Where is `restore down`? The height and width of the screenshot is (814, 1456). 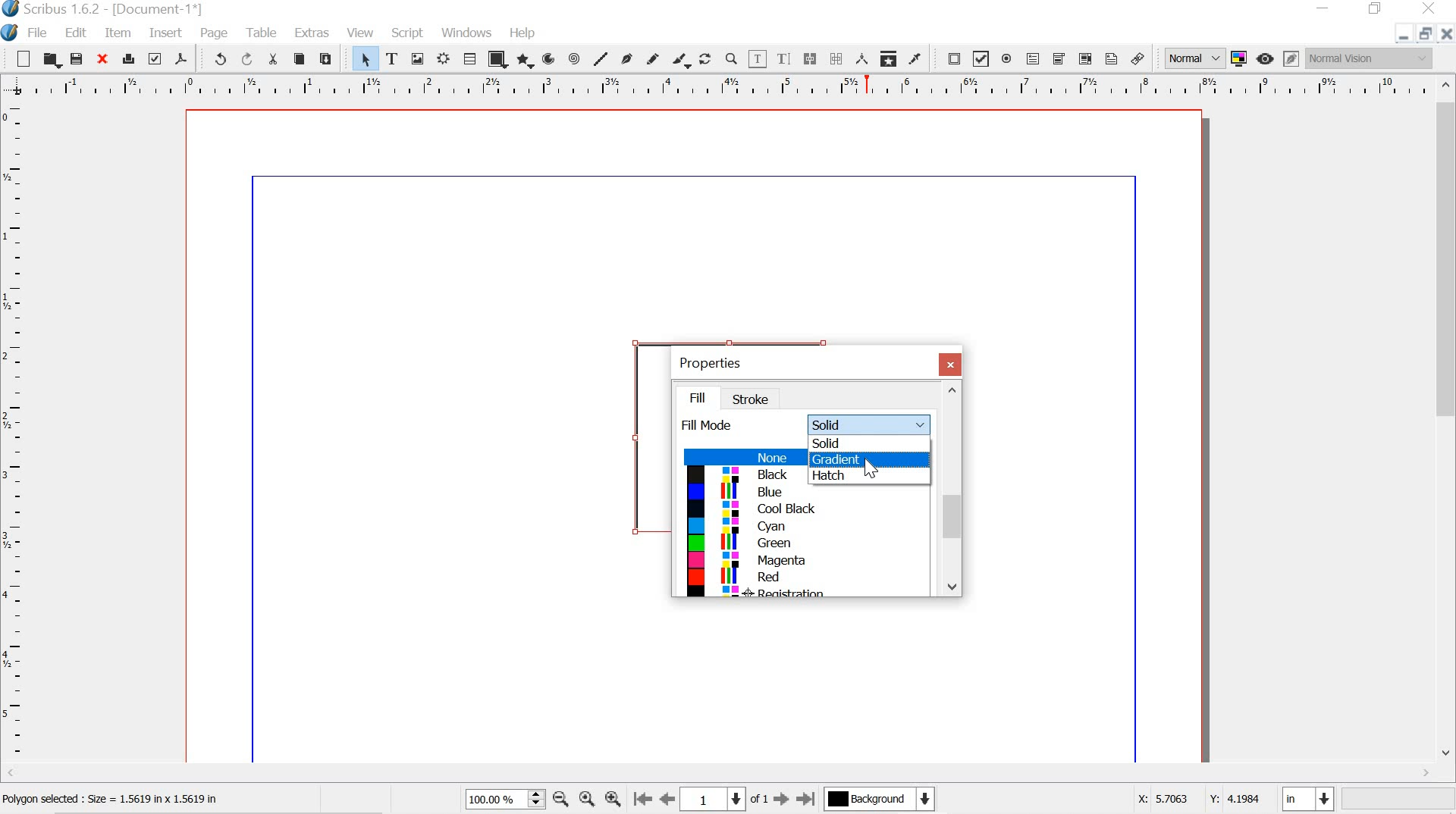
restore down is located at coordinates (1376, 9).